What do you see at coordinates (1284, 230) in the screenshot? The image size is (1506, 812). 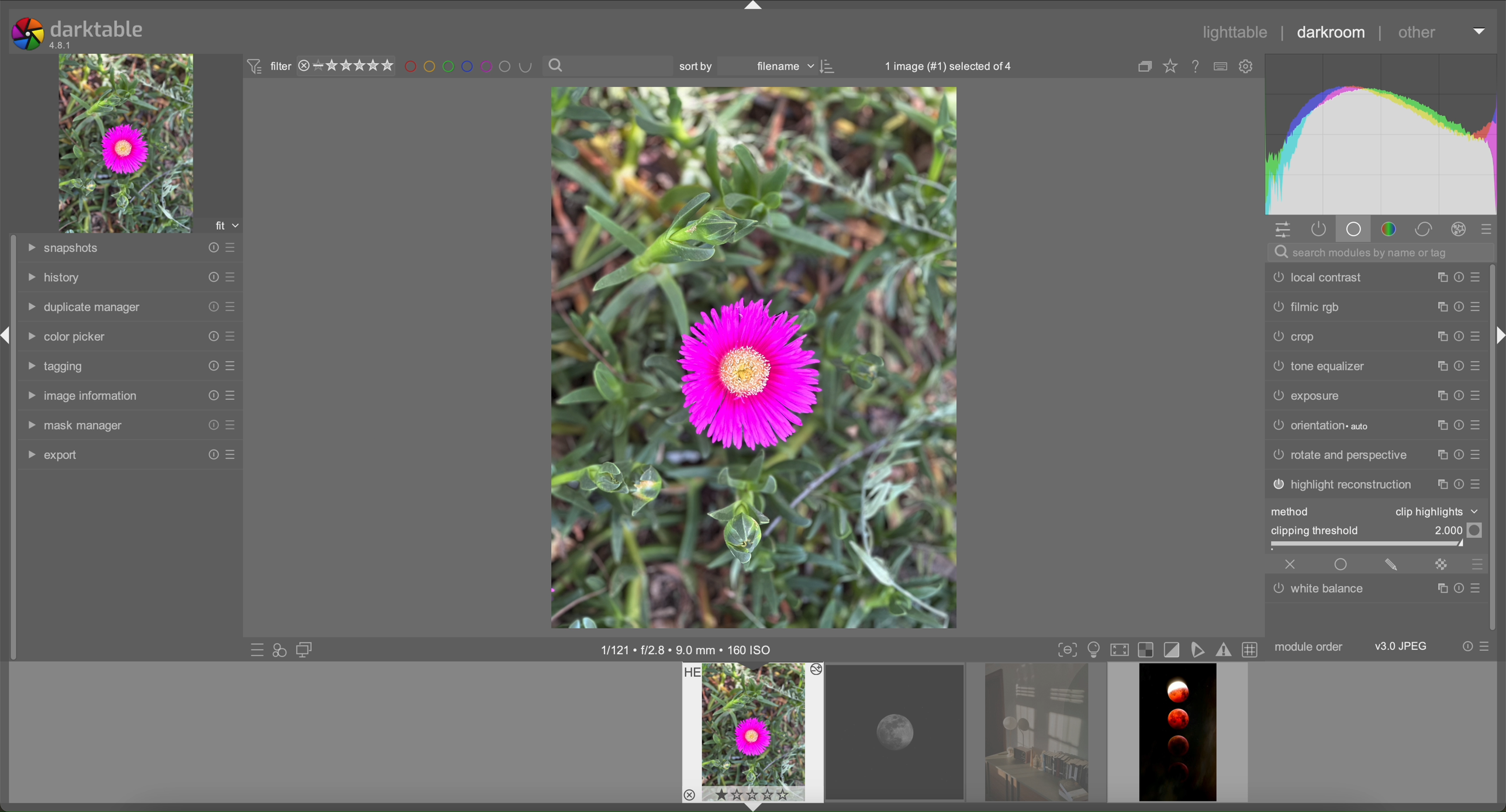 I see `settings` at bounding box center [1284, 230].